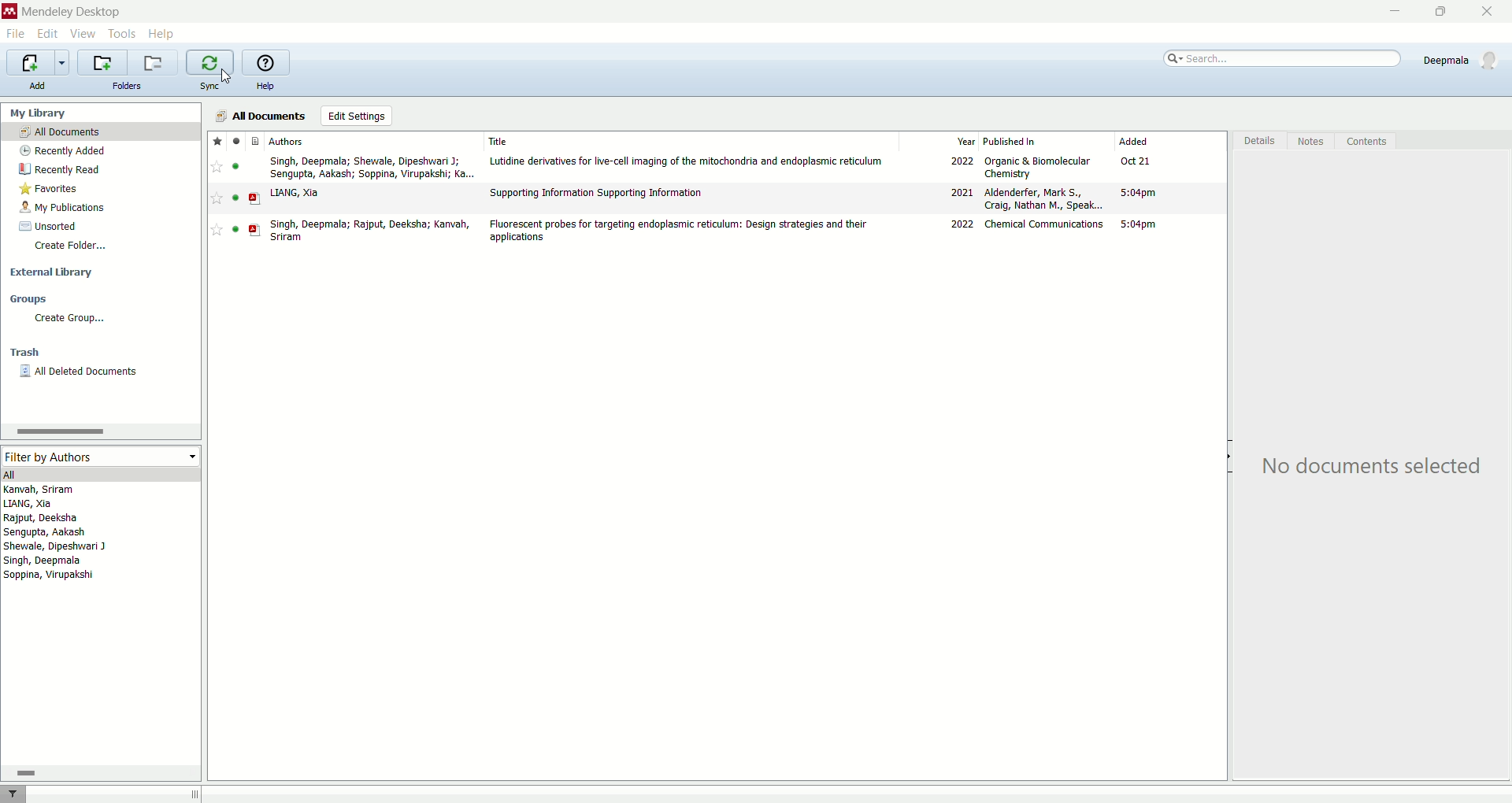  What do you see at coordinates (80, 370) in the screenshot?
I see `all deleted documents` at bounding box center [80, 370].